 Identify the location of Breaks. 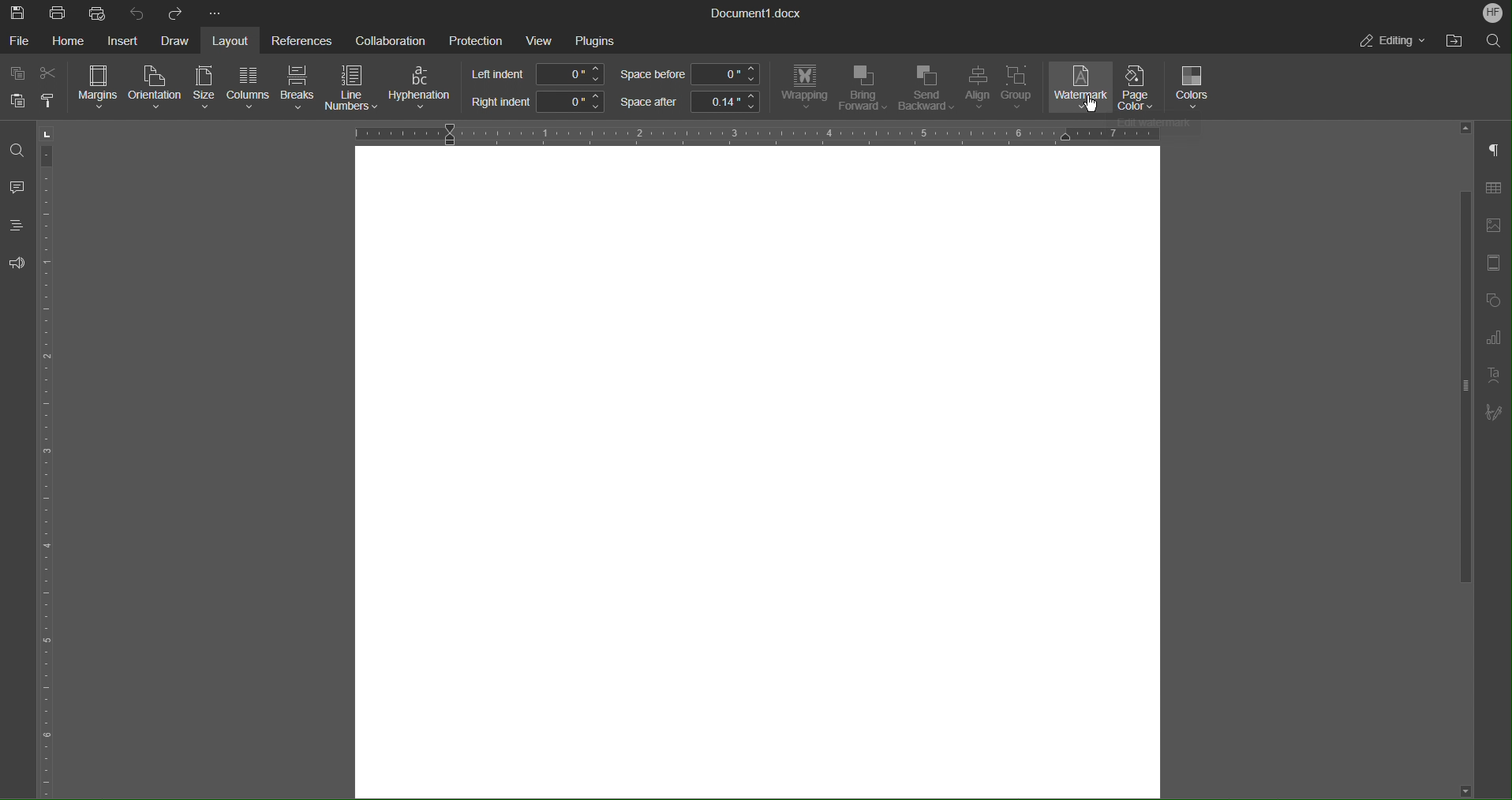
(298, 89).